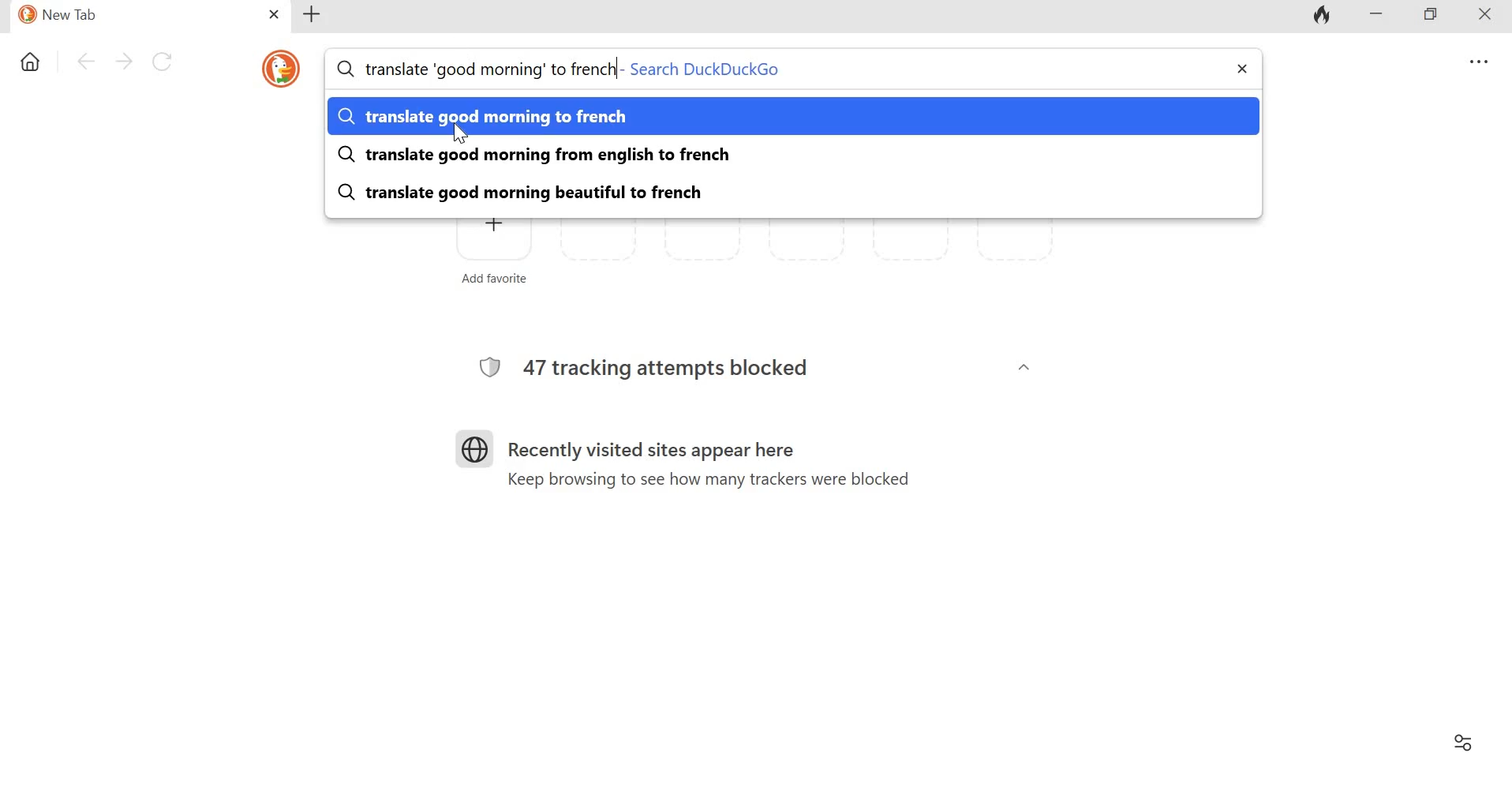  What do you see at coordinates (537, 154) in the screenshot?
I see `translate good morning from english to french` at bounding box center [537, 154].